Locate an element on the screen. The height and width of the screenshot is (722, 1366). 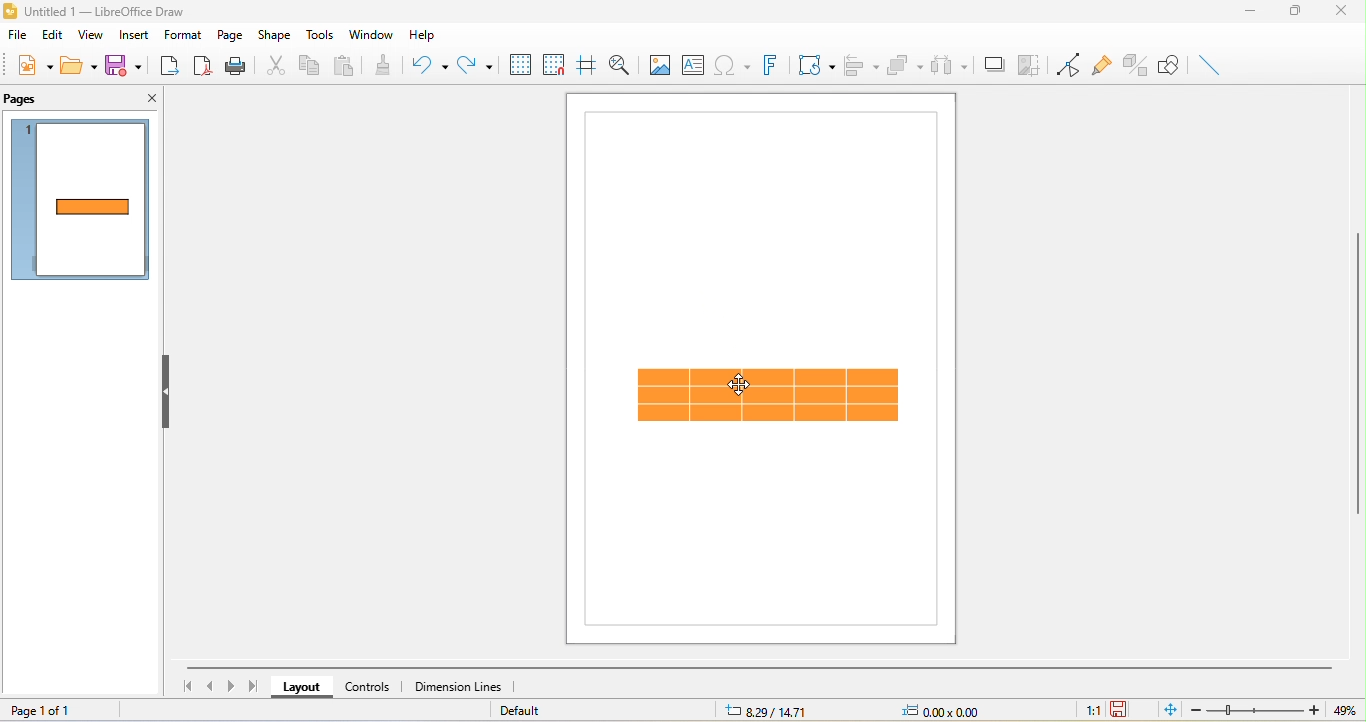
pages is located at coordinates (24, 99).